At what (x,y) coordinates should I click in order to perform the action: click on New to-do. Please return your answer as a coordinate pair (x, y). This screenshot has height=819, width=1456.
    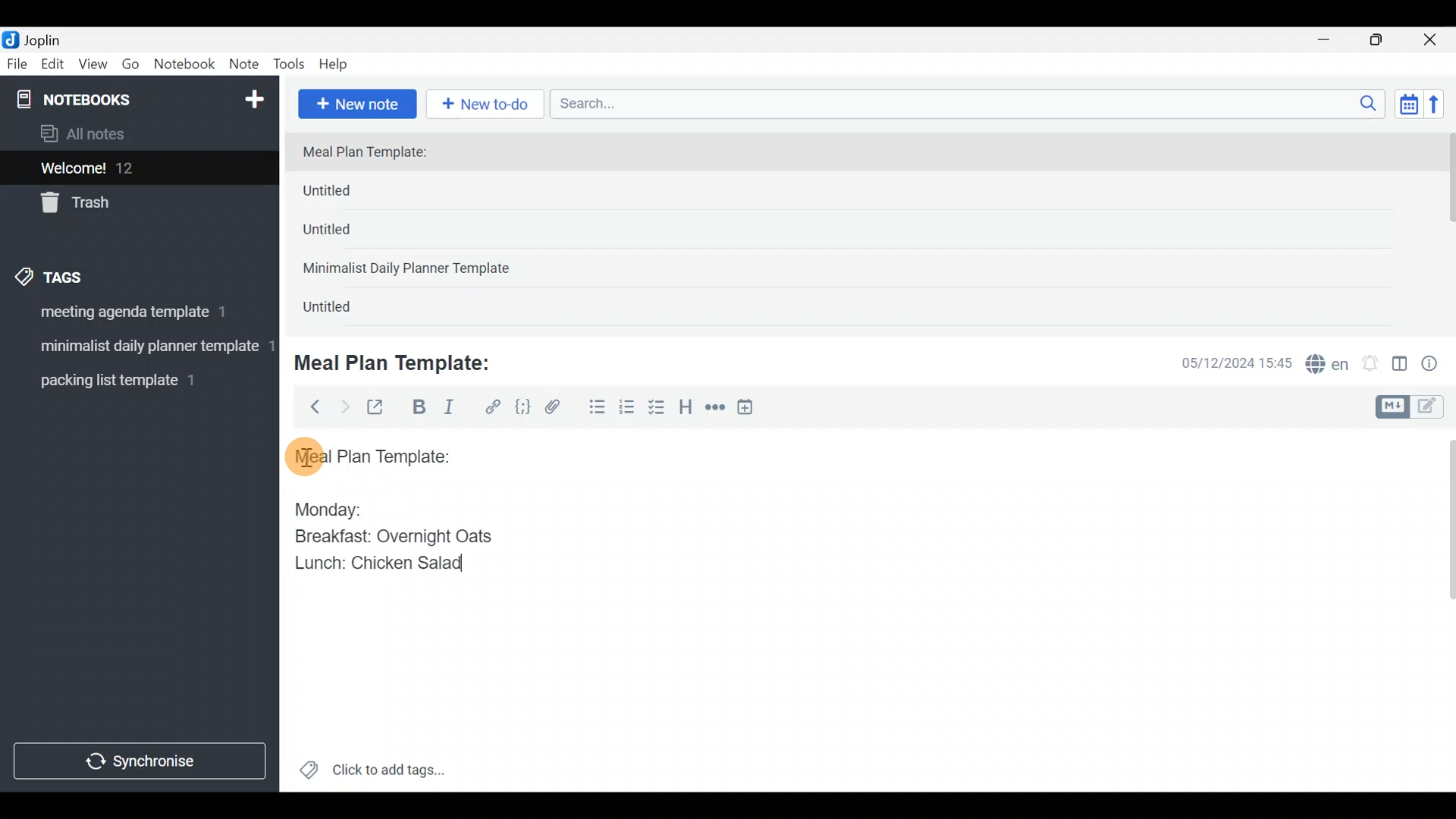
    Looking at the image, I should click on (488, 105).